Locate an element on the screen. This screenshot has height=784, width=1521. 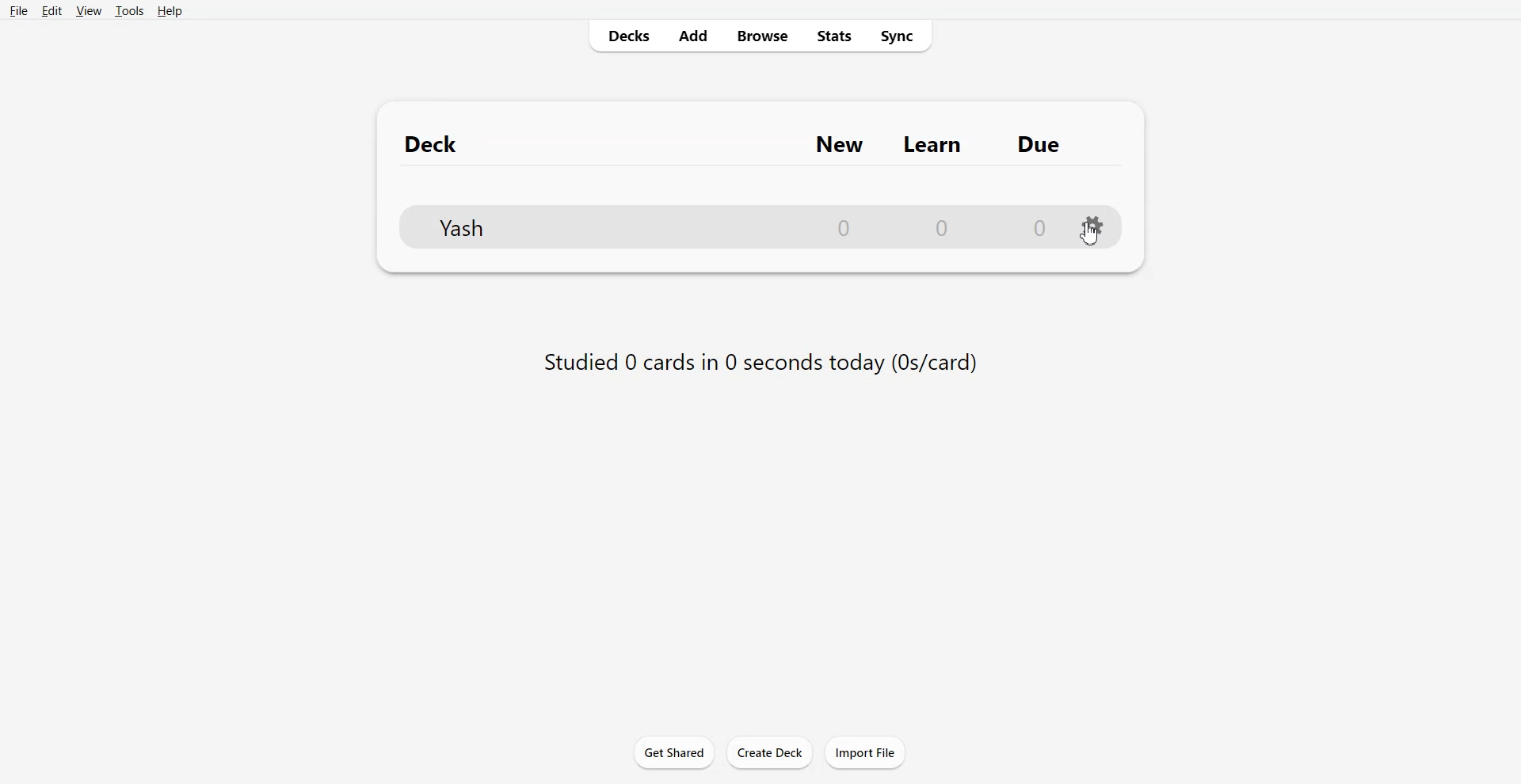
View is located at coordinates (88, 11).